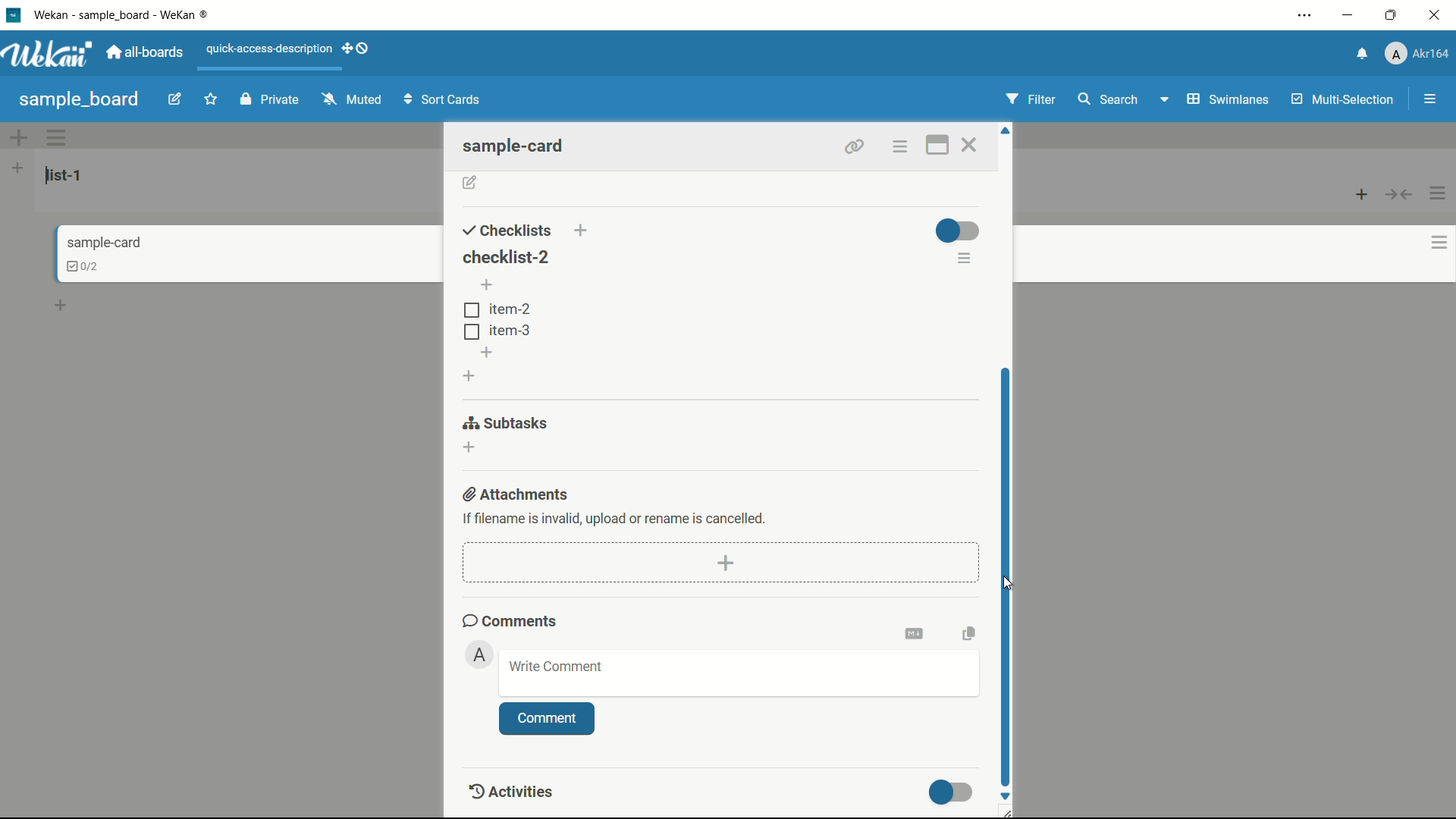 This screenshot has width=1456, height=819. Describe the element at coordinates (445, 99) in the screenshot. I see `Sort Cards` at that location.